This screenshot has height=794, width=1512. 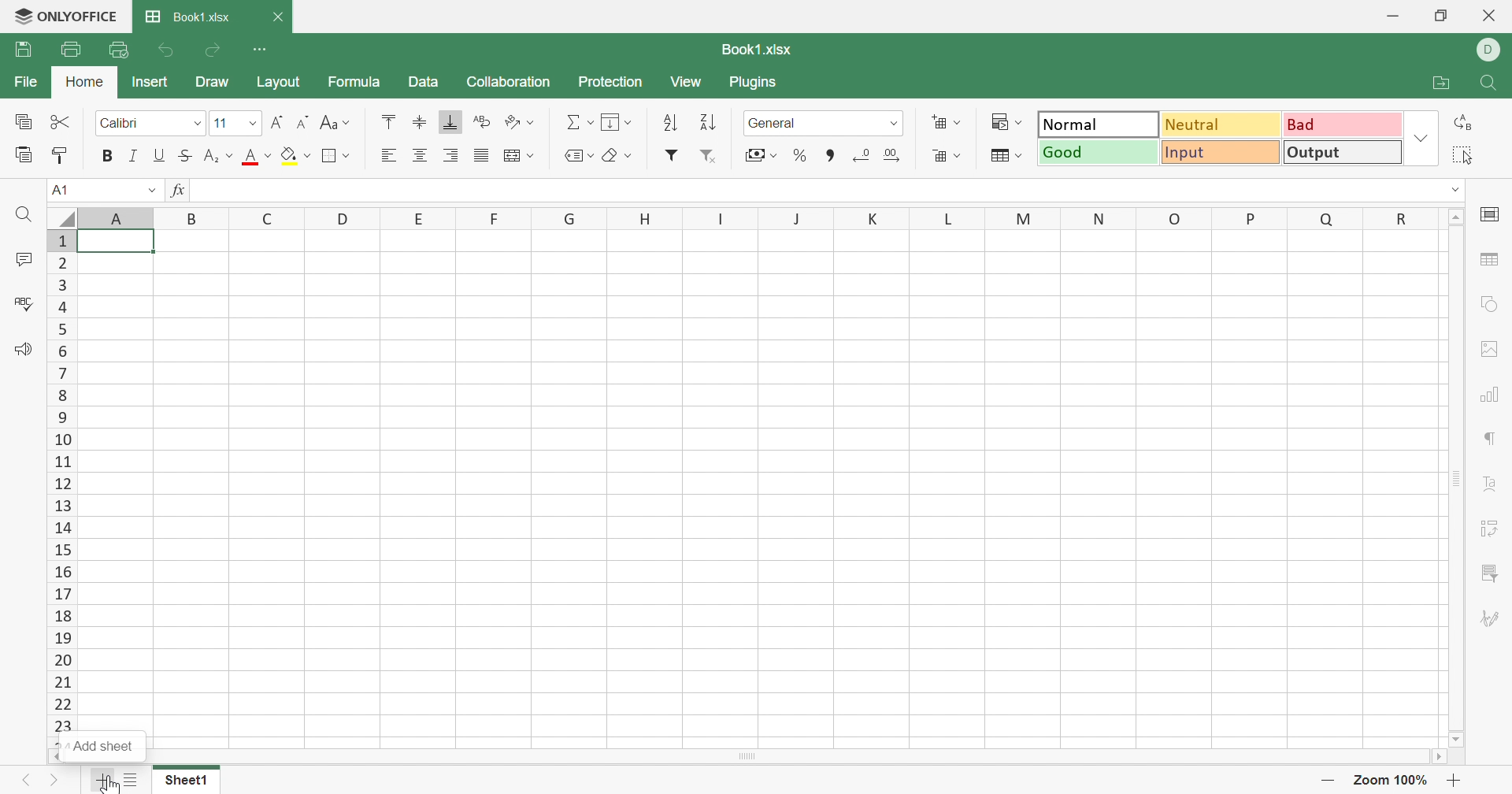 What do you see at coordinates (184, 154) in the screenshot?
I see `Strikethrough` at bounding box center [184, 154].